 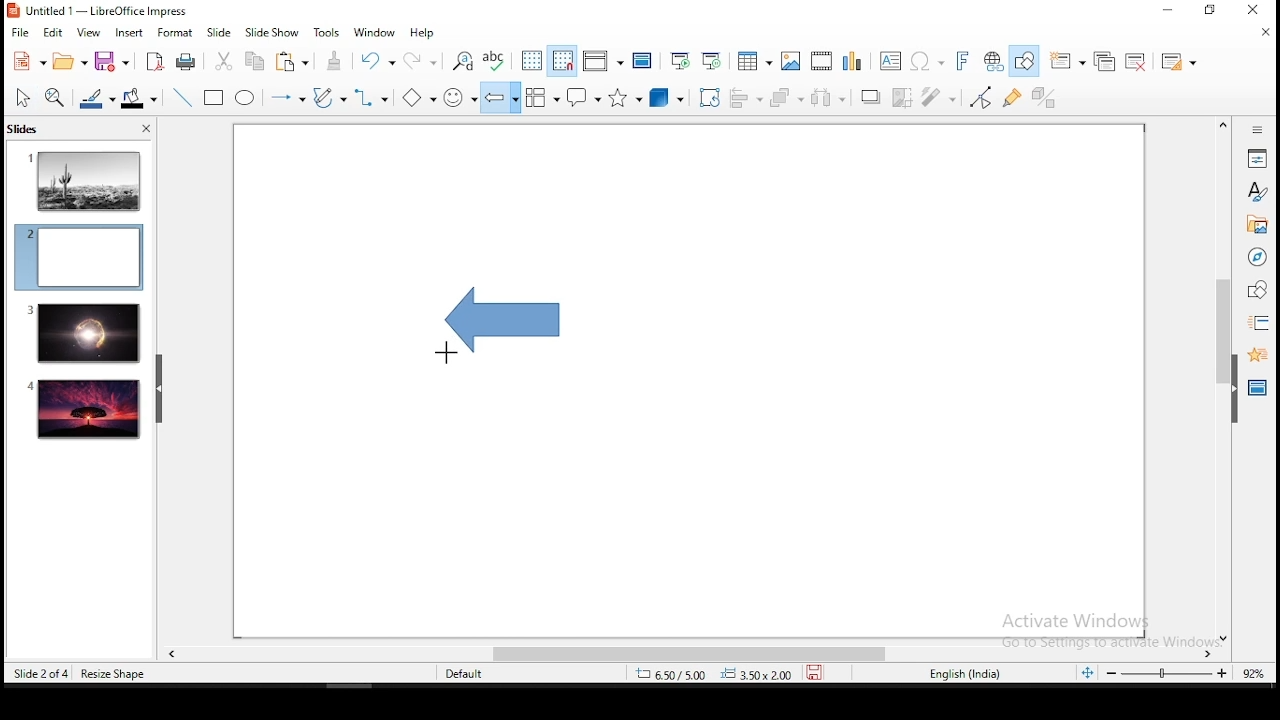 What do you see at coordinates (128, 32) in the screenshot?
I see `insert` at bounding box center [128, 32].